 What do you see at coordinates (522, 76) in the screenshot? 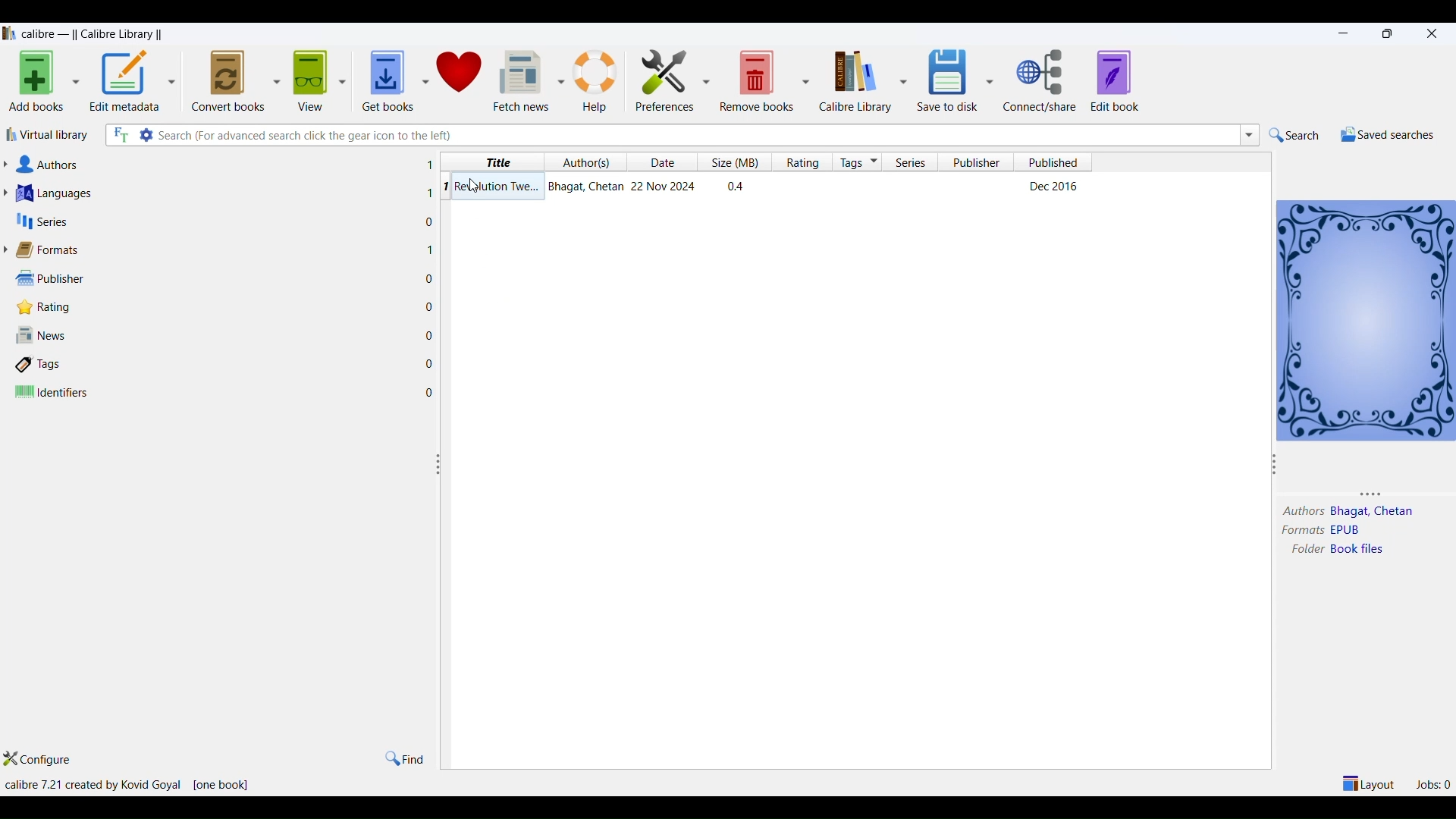
I see `fetch news` at bounding box center [522, 76].